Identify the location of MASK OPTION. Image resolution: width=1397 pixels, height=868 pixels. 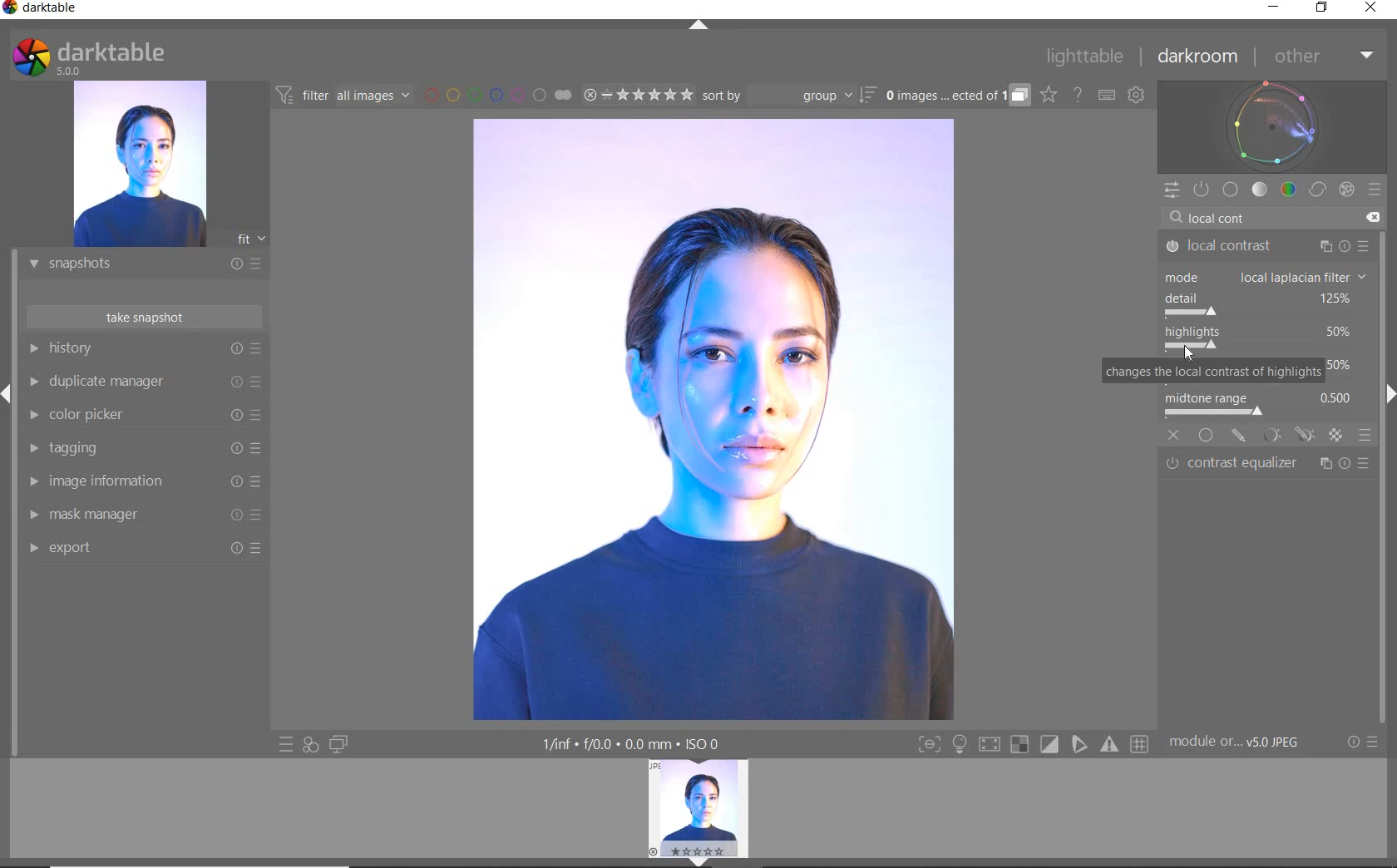
(1307, 436).